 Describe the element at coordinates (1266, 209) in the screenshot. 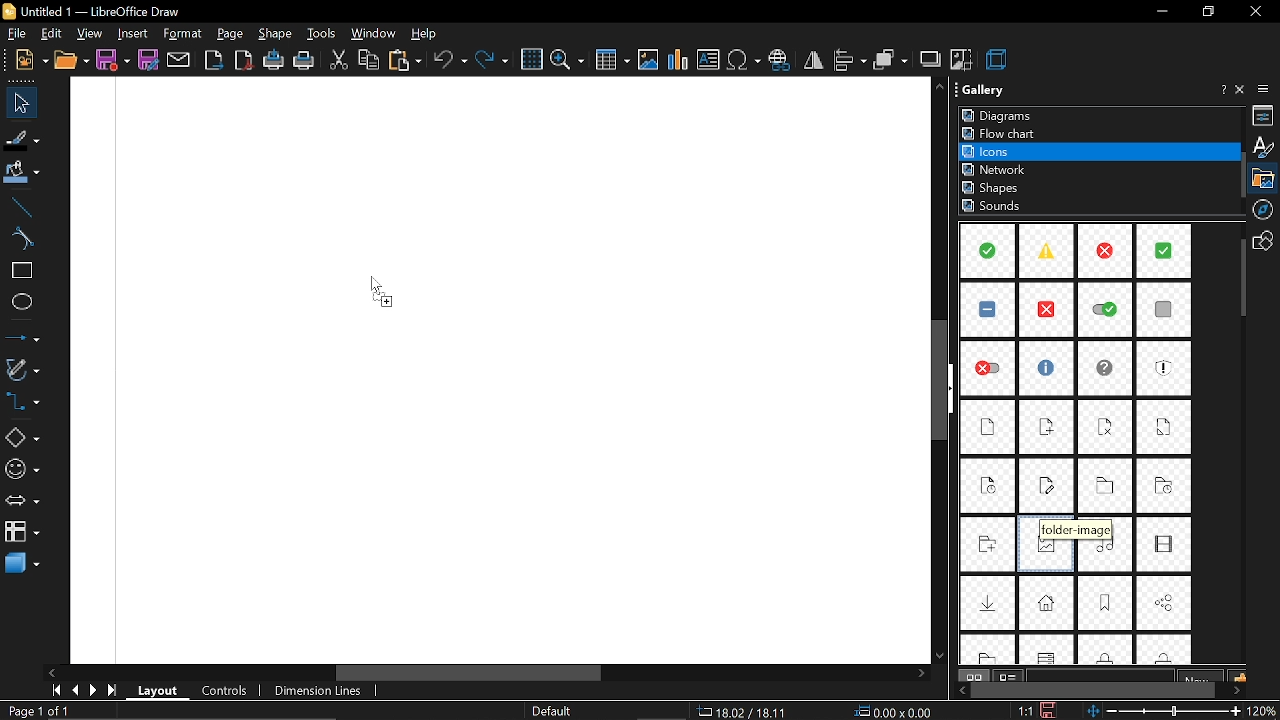

I see `navigation` at that location.